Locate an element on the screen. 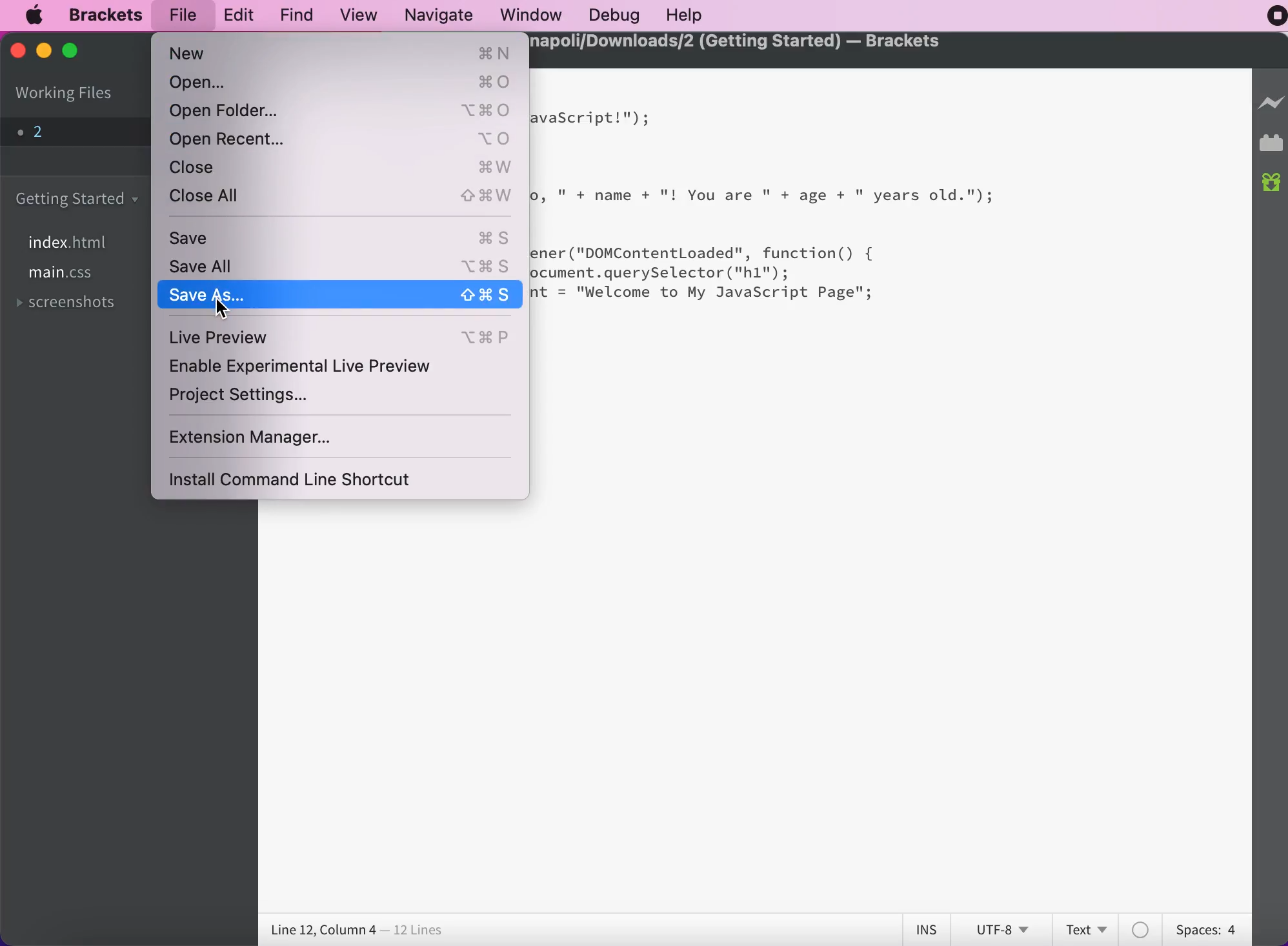  live preview is located at coordinates (1271, 109).